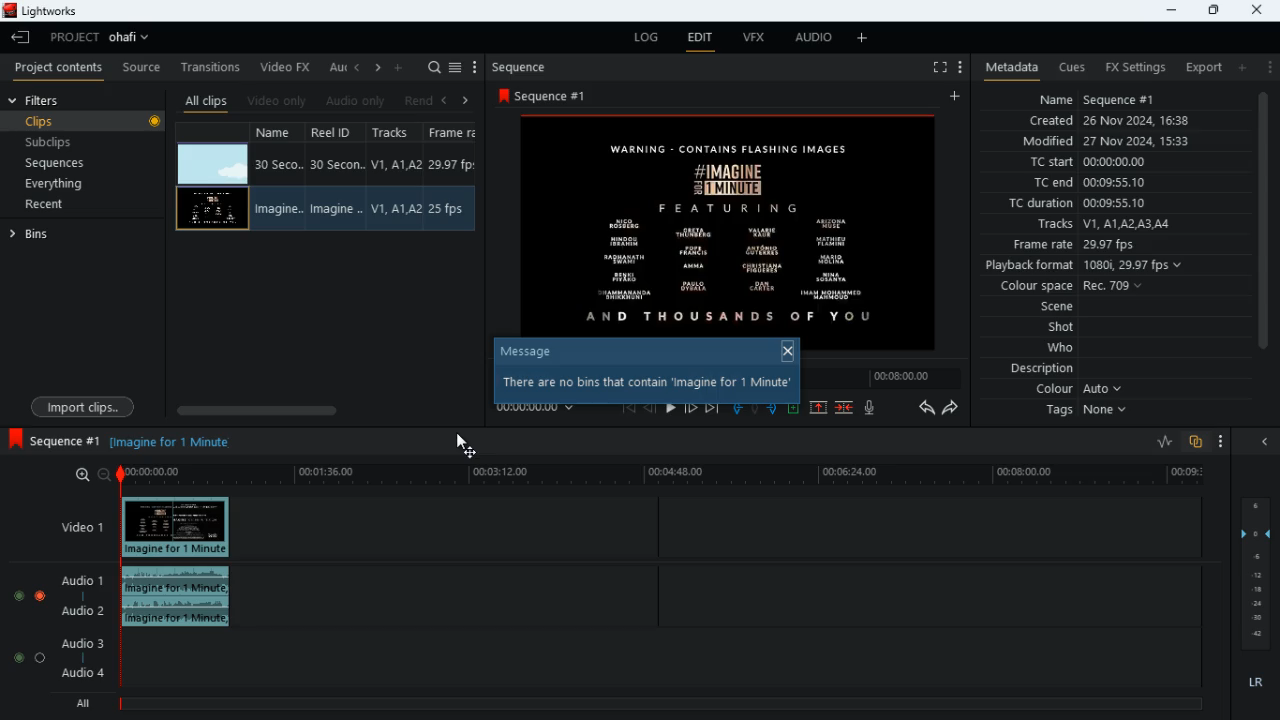 The image size is (1280, 720). Describe the element at coordinates (178, 598) in the screenshot. I see `audio` at that location.